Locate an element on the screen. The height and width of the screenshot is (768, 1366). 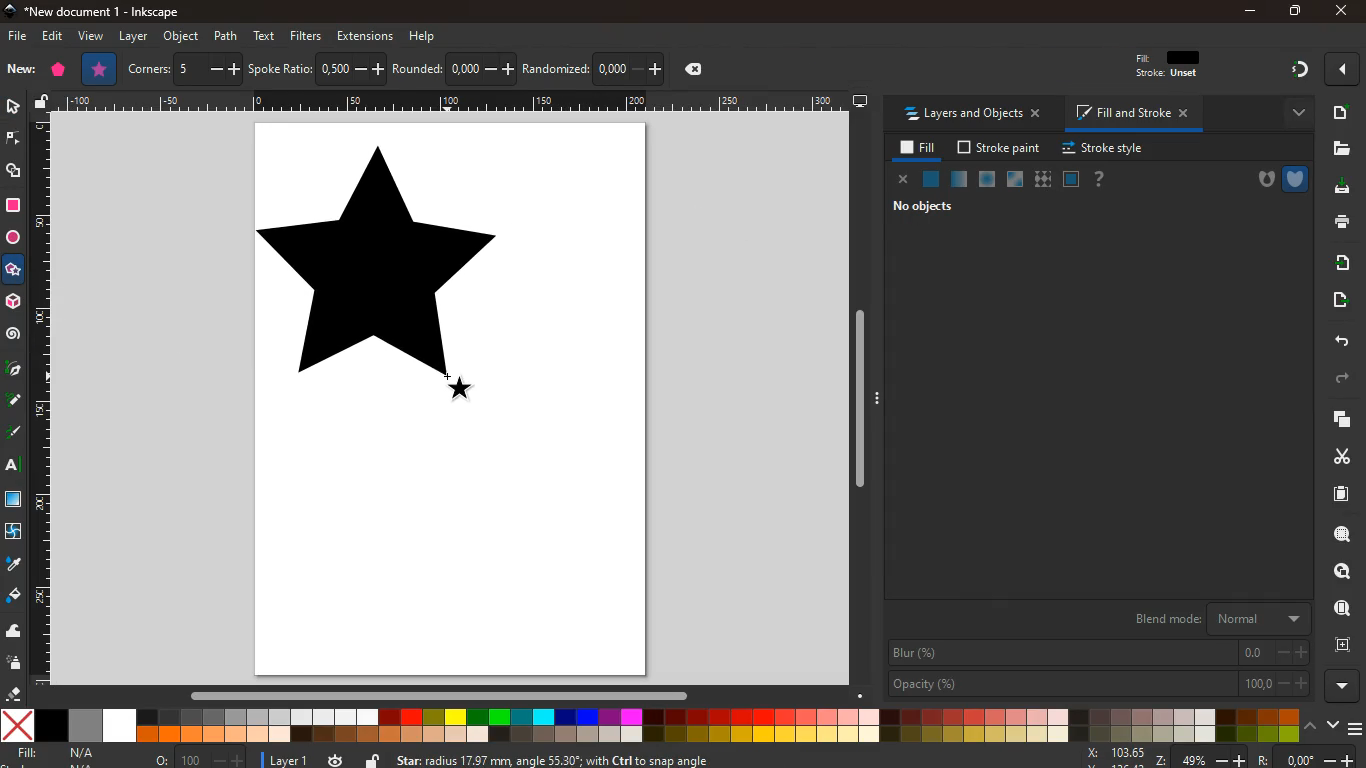
help is located at coordinates (1105, 179).